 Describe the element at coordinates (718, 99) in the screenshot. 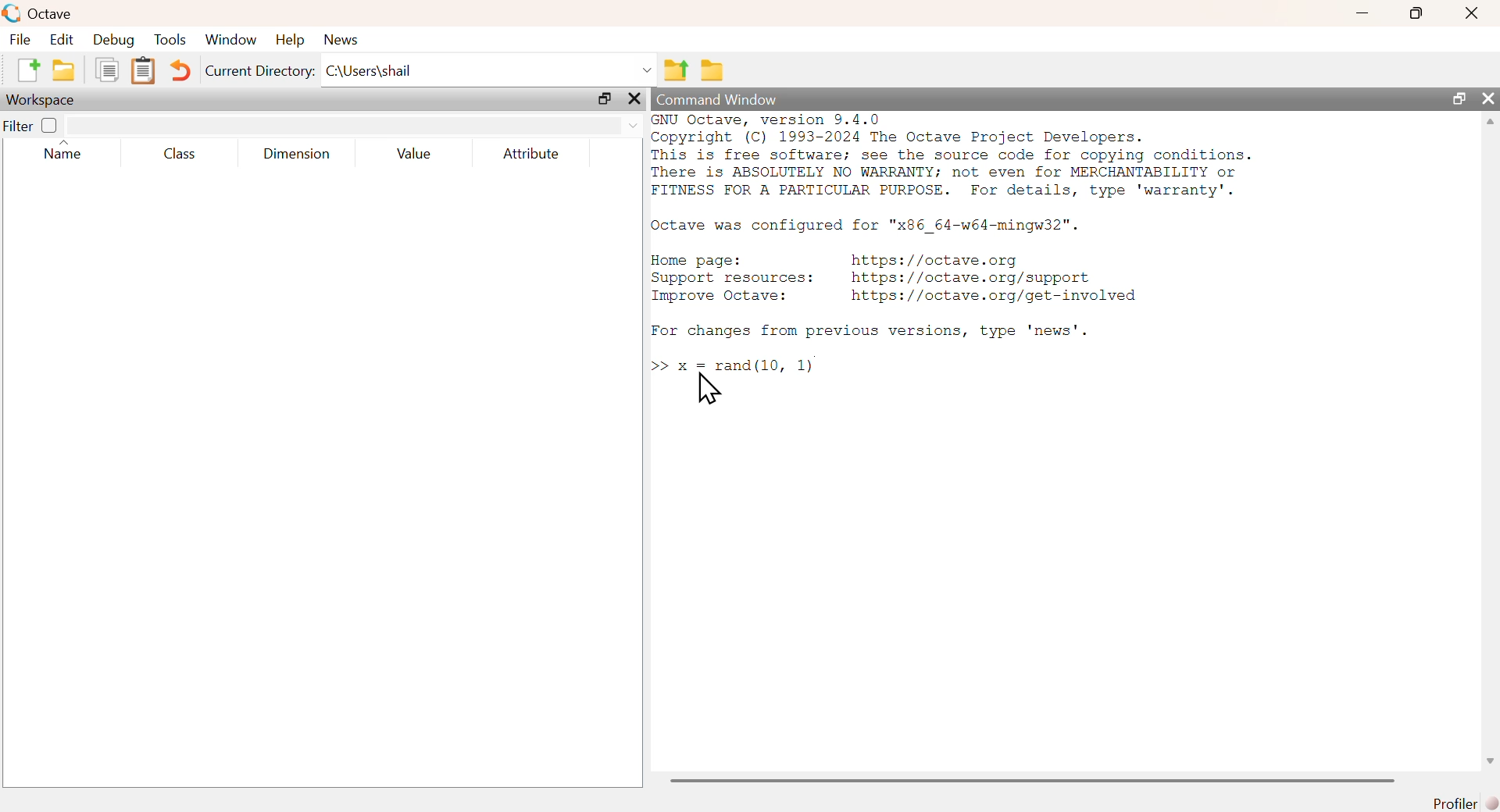

I see `command window` at that location.